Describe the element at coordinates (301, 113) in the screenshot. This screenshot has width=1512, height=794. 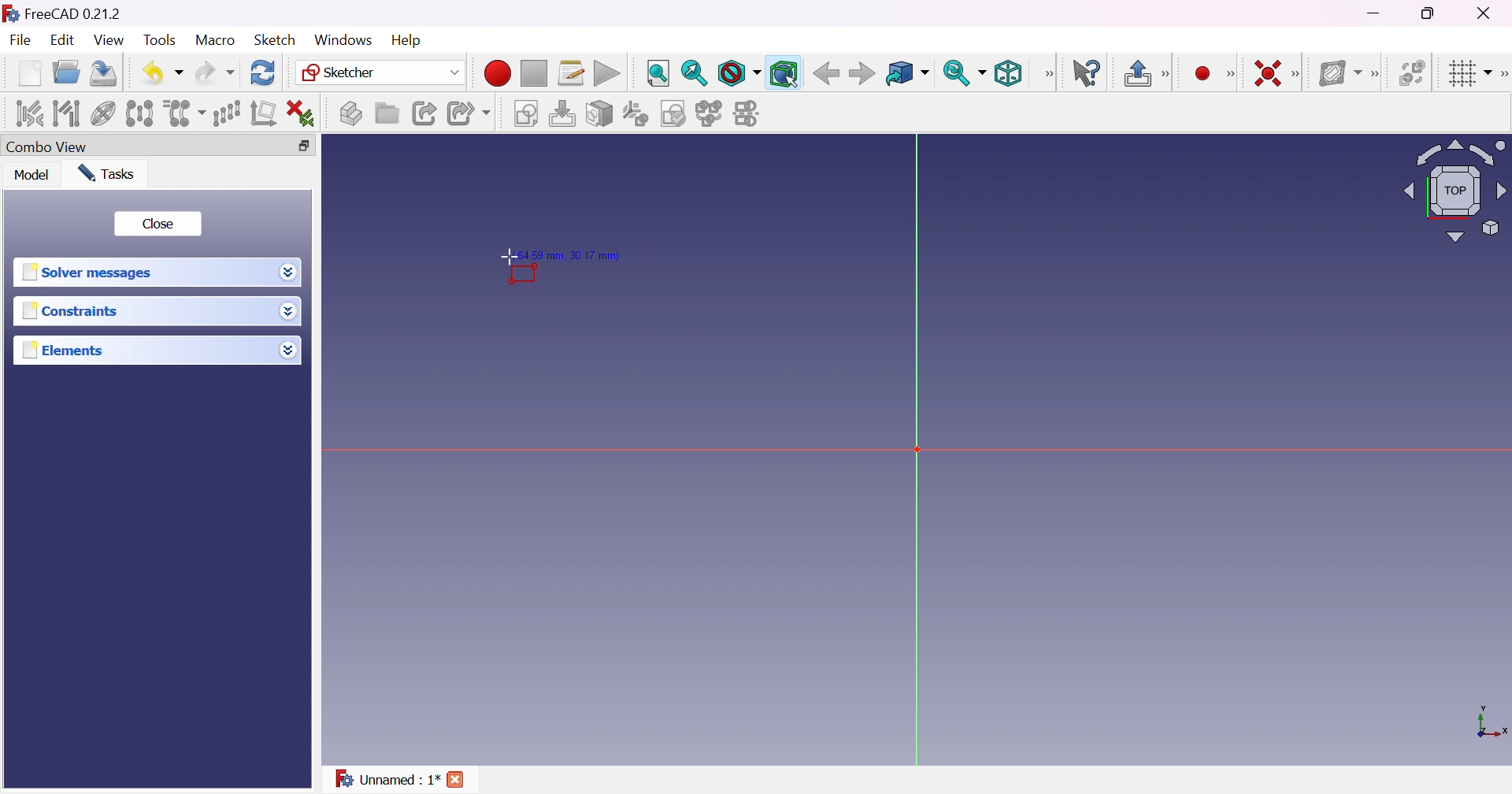
I see `Delete all constraints` at that location.